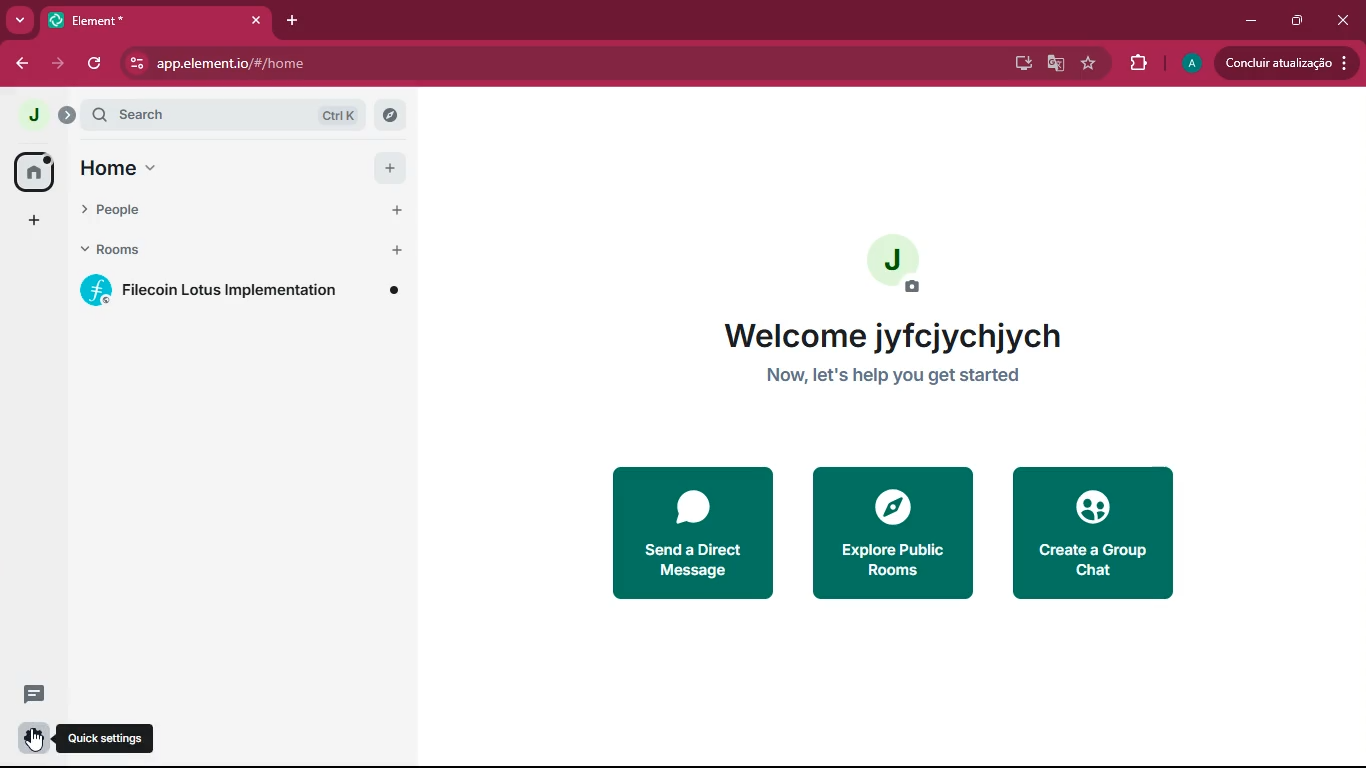  What do you see at coordinates (1343, 19) in the screenshot?
I see `close` at bounding box center [1343, 19].